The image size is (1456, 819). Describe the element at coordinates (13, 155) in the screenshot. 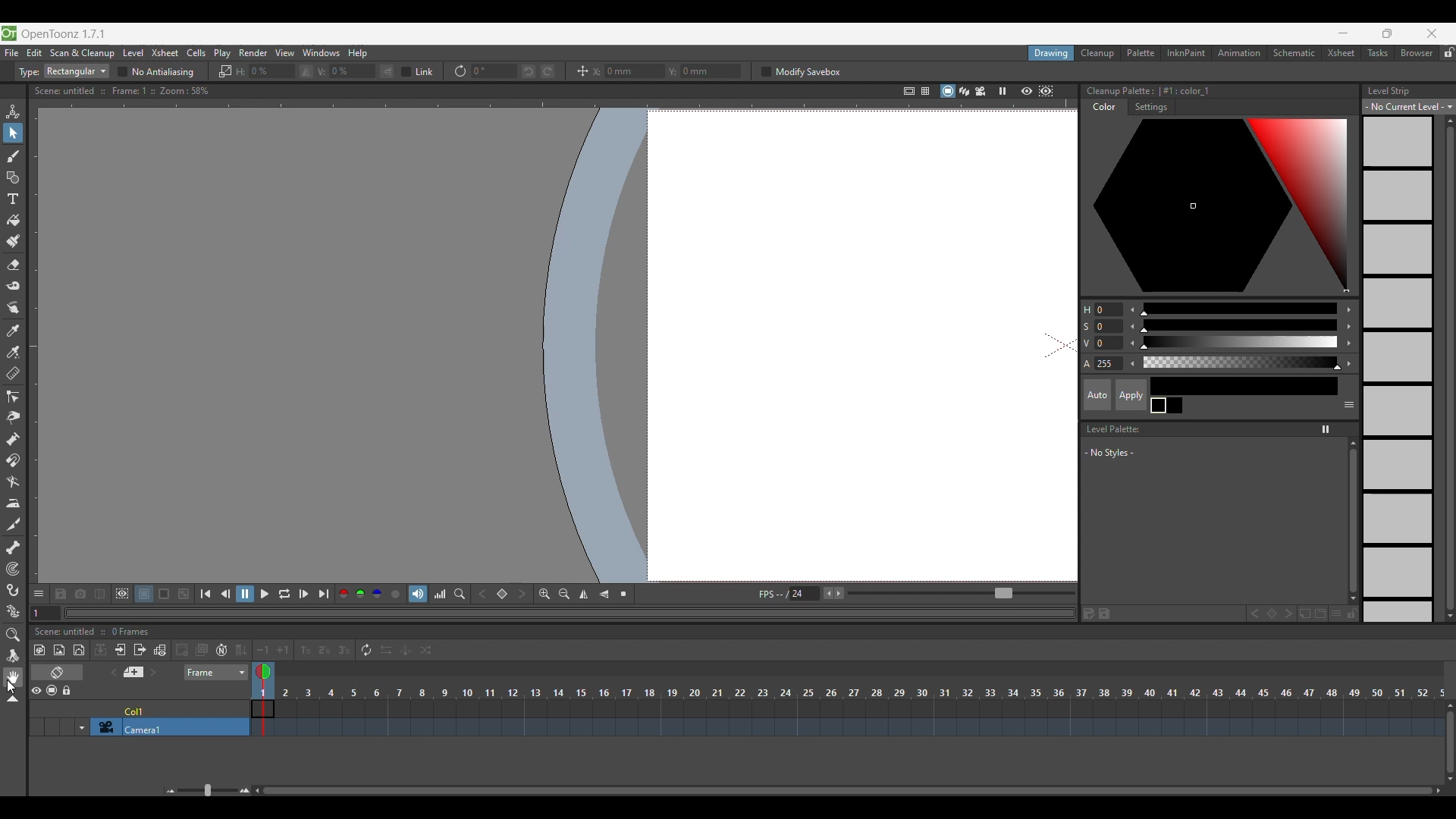

I see `Brush tool` at that location.